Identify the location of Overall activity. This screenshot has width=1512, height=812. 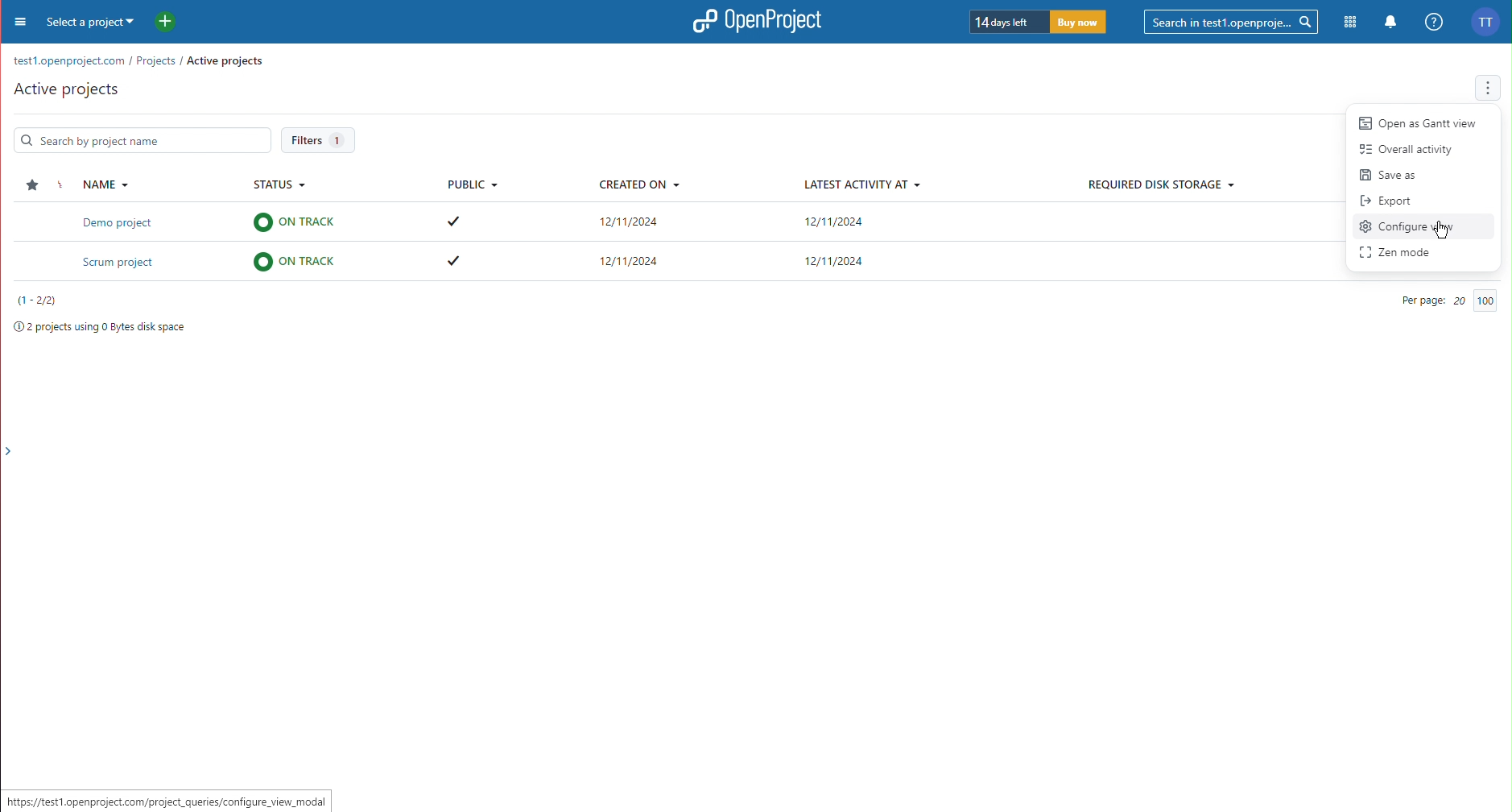
(1405, 148).